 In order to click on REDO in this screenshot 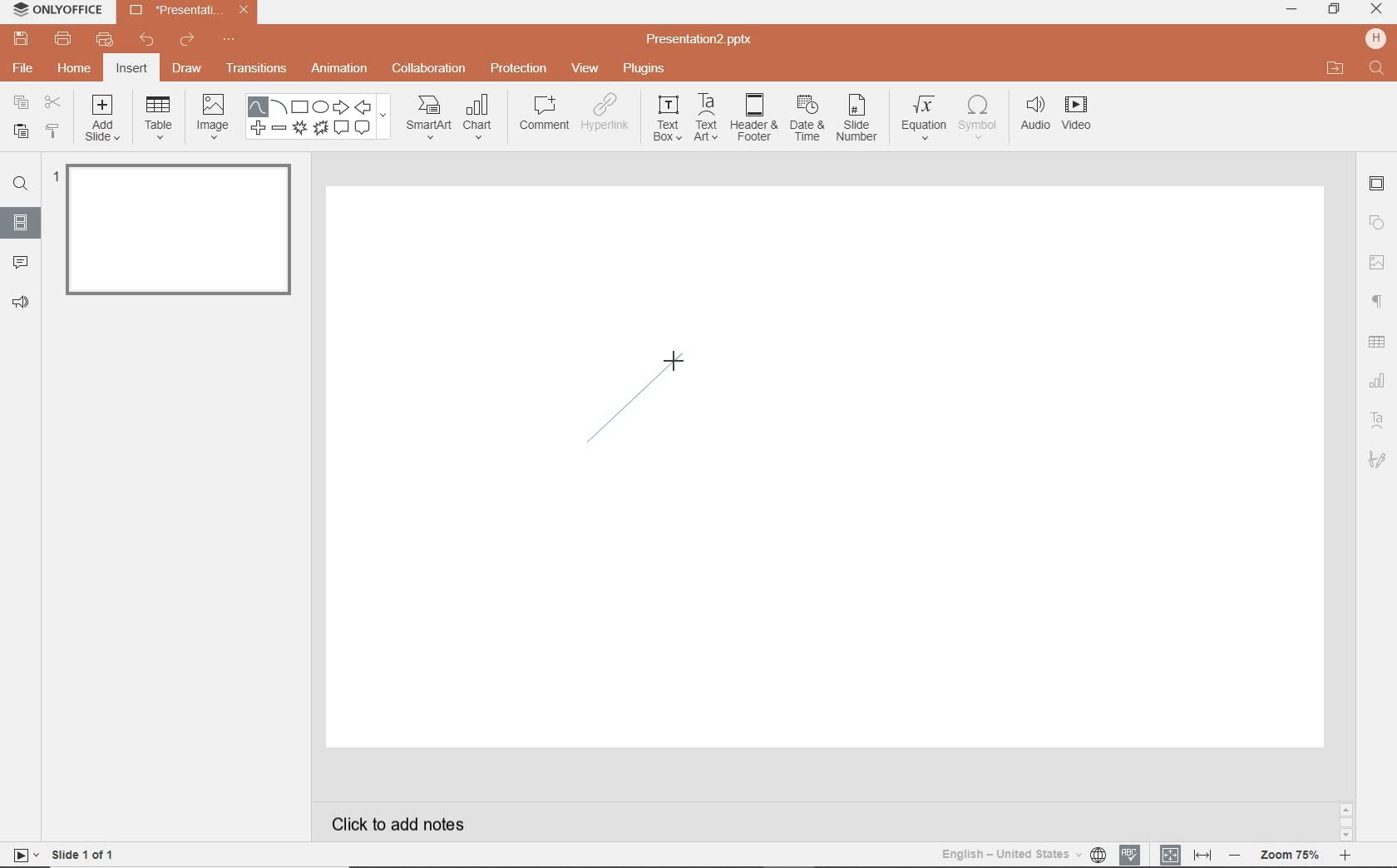, I will do `click(187, 41)`.